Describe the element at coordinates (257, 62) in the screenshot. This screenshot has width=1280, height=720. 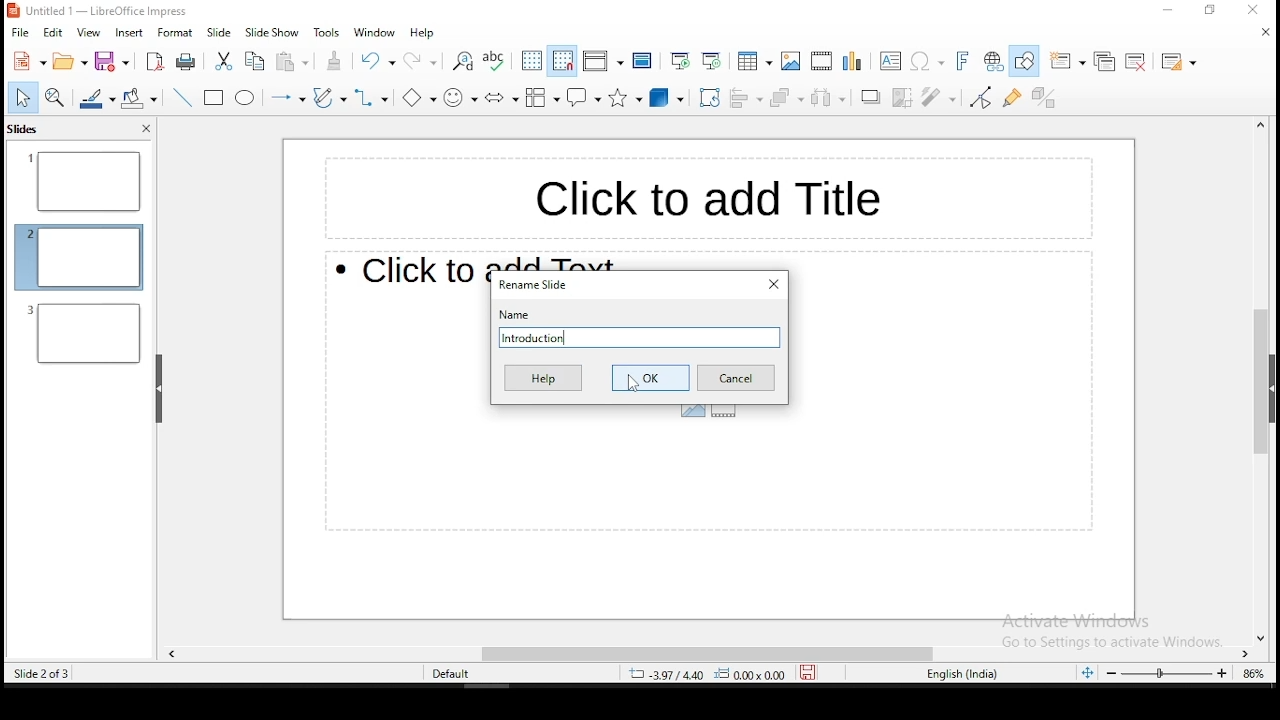
I see `copy` at that location.